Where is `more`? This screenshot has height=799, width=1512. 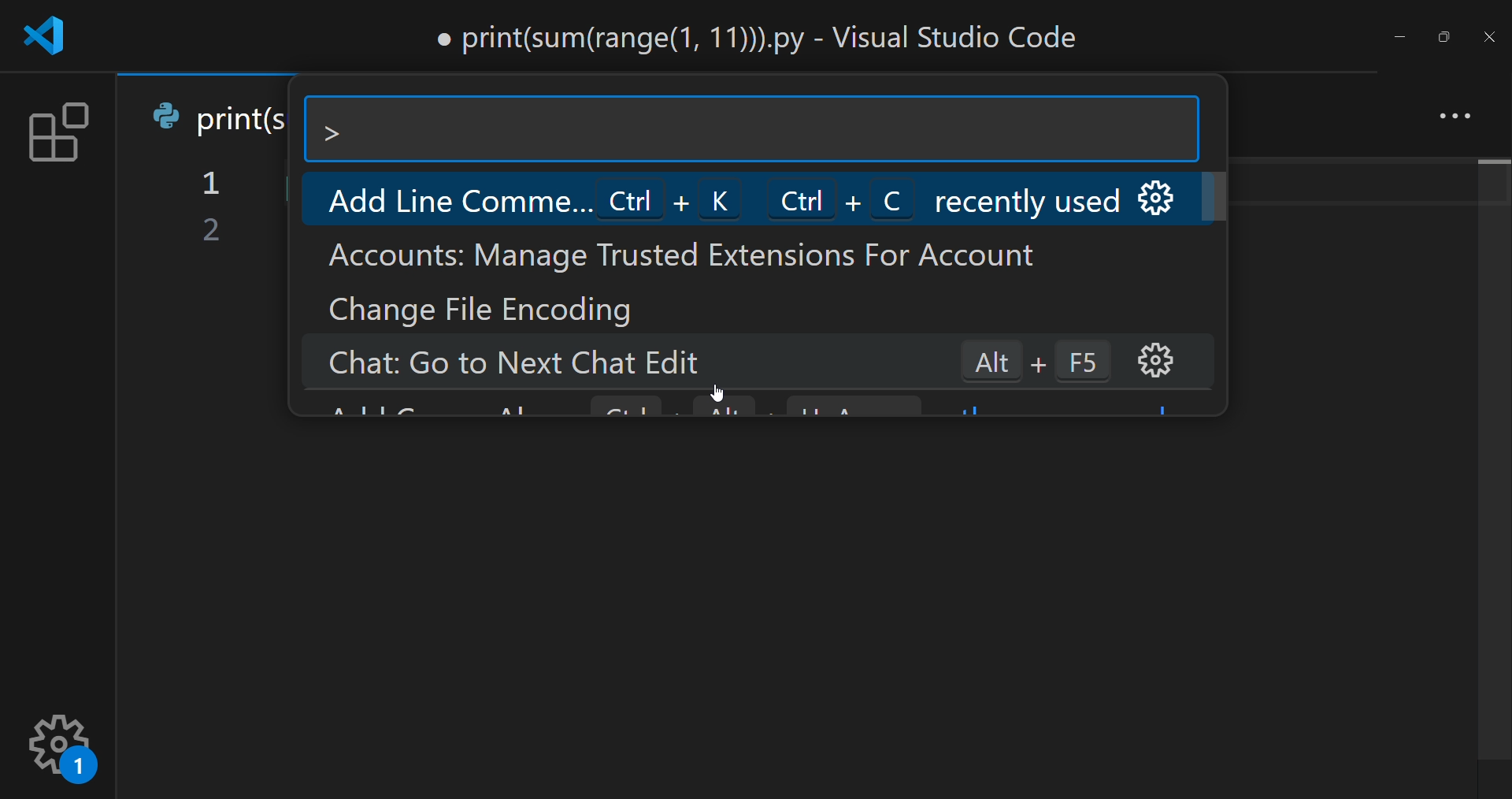 more is located at coordinates (1450, 113).